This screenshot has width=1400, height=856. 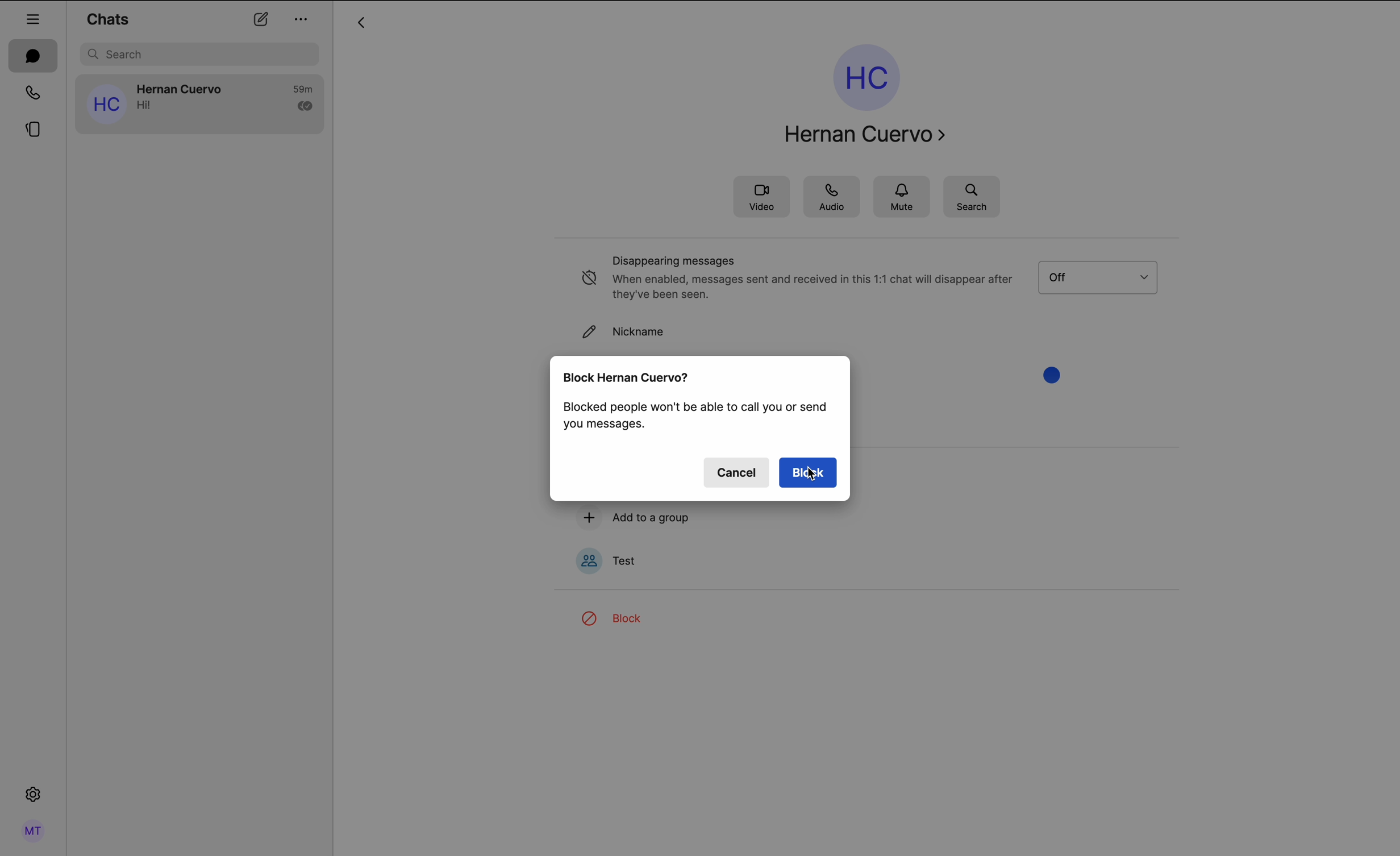 I want to click on chats, so click(x=111, y=18).